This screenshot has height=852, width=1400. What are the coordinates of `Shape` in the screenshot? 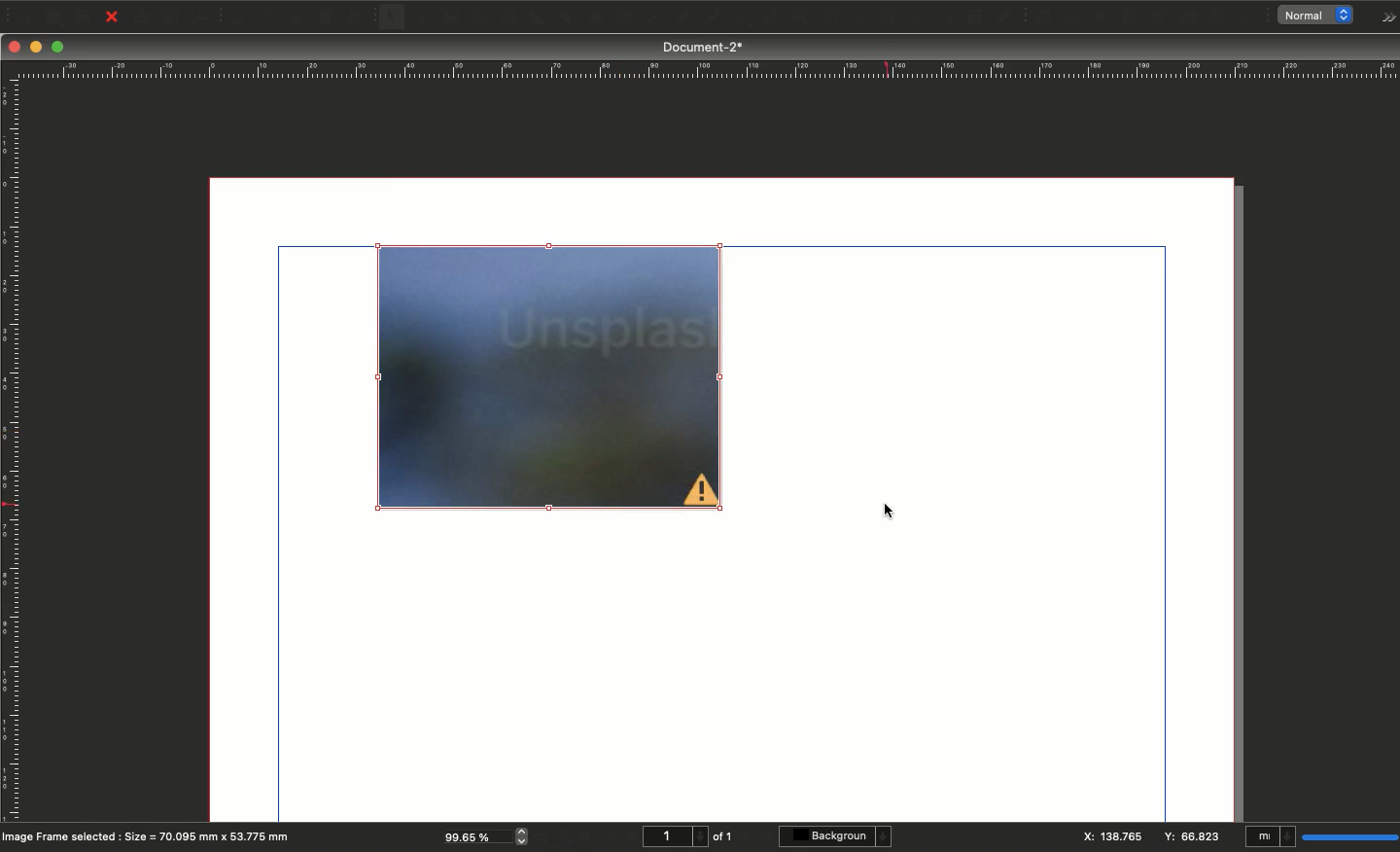 It's located at (540, 18).